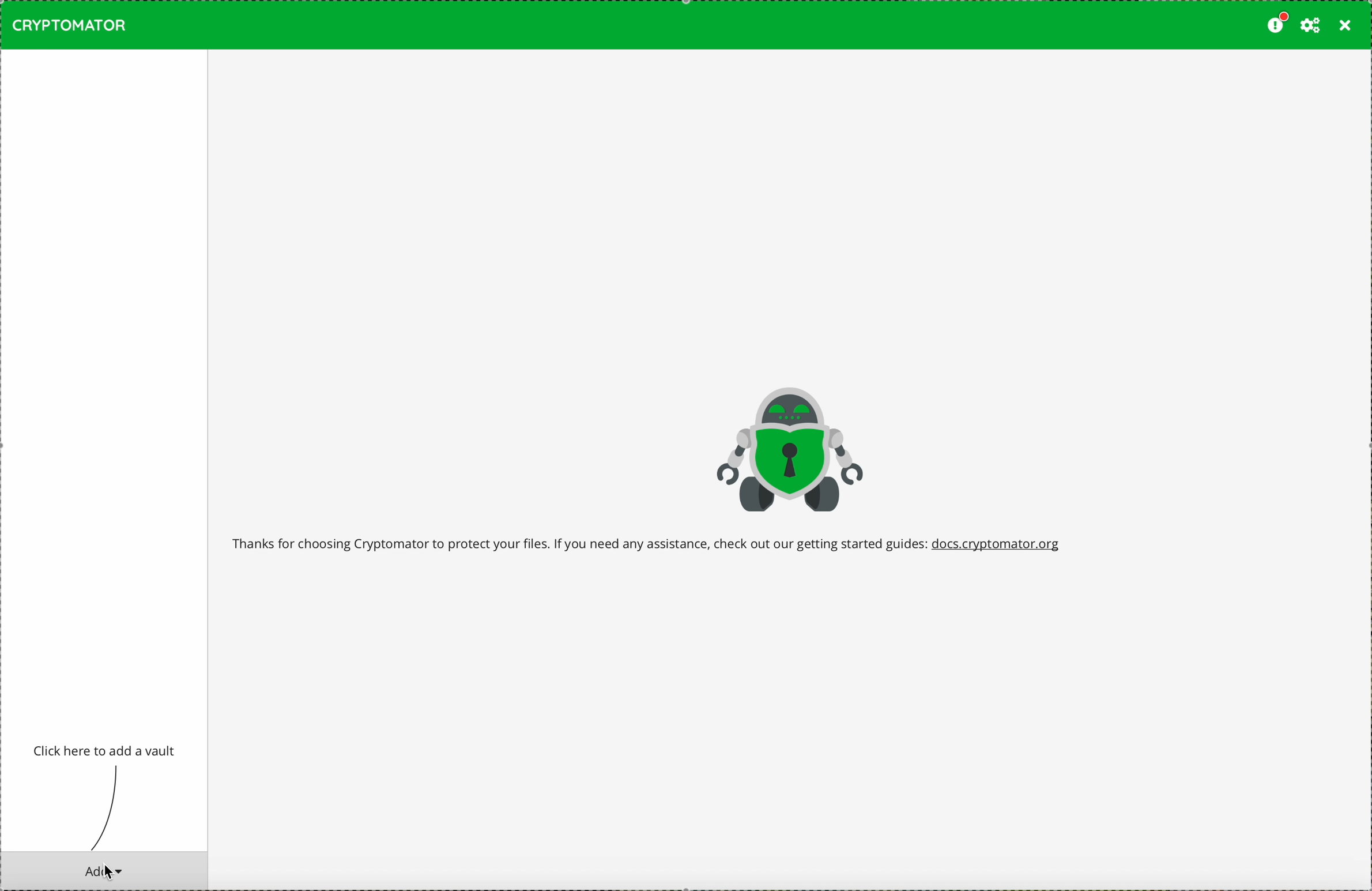 The image size is (1372, 891). What do you see at coordinates (1345, 26) in the screenshot?
I see `close` at bounding box center [1345, 26].